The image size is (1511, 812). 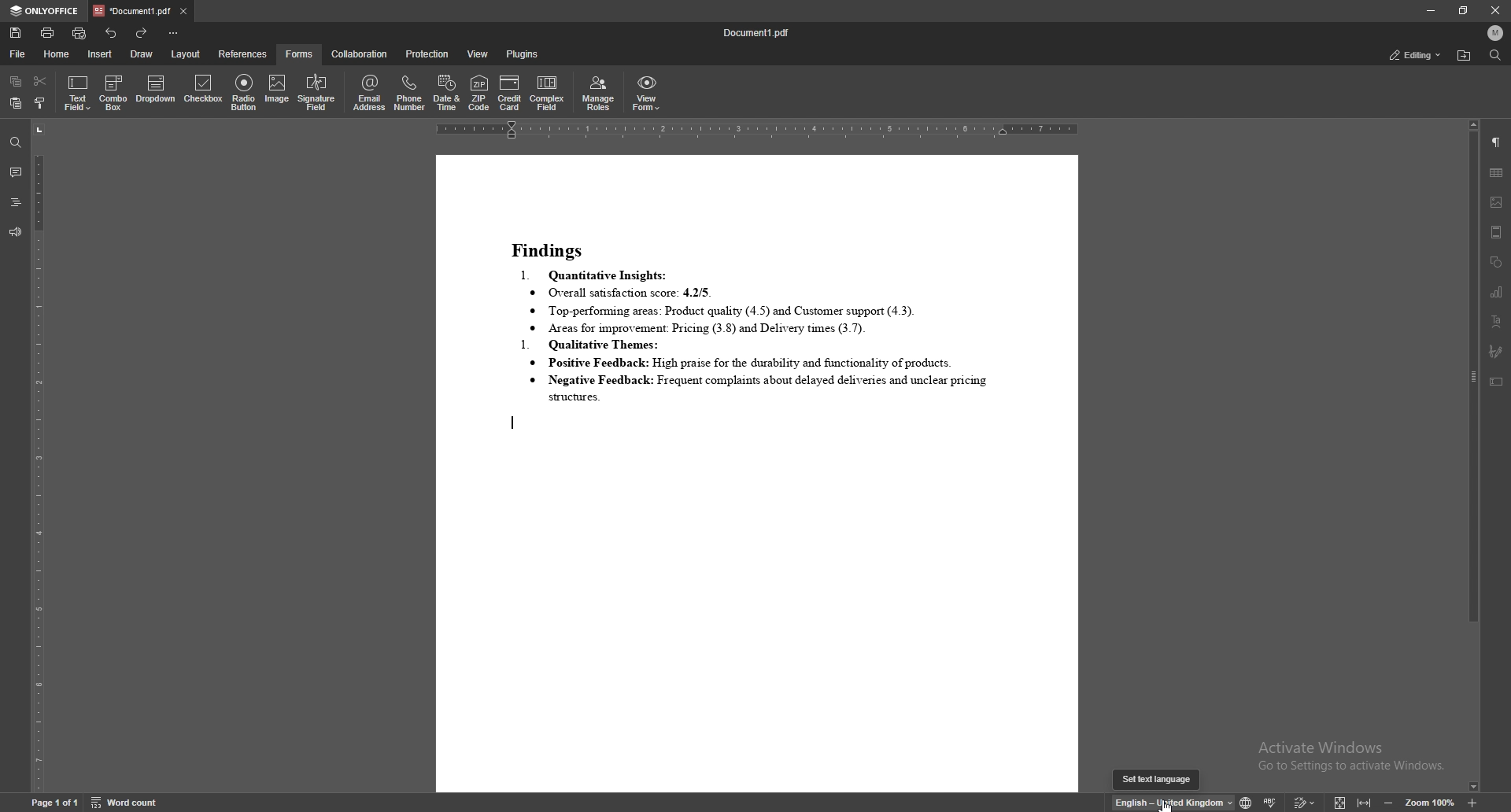 I want to click on decrease zoom, so click(x=1387, y=802).